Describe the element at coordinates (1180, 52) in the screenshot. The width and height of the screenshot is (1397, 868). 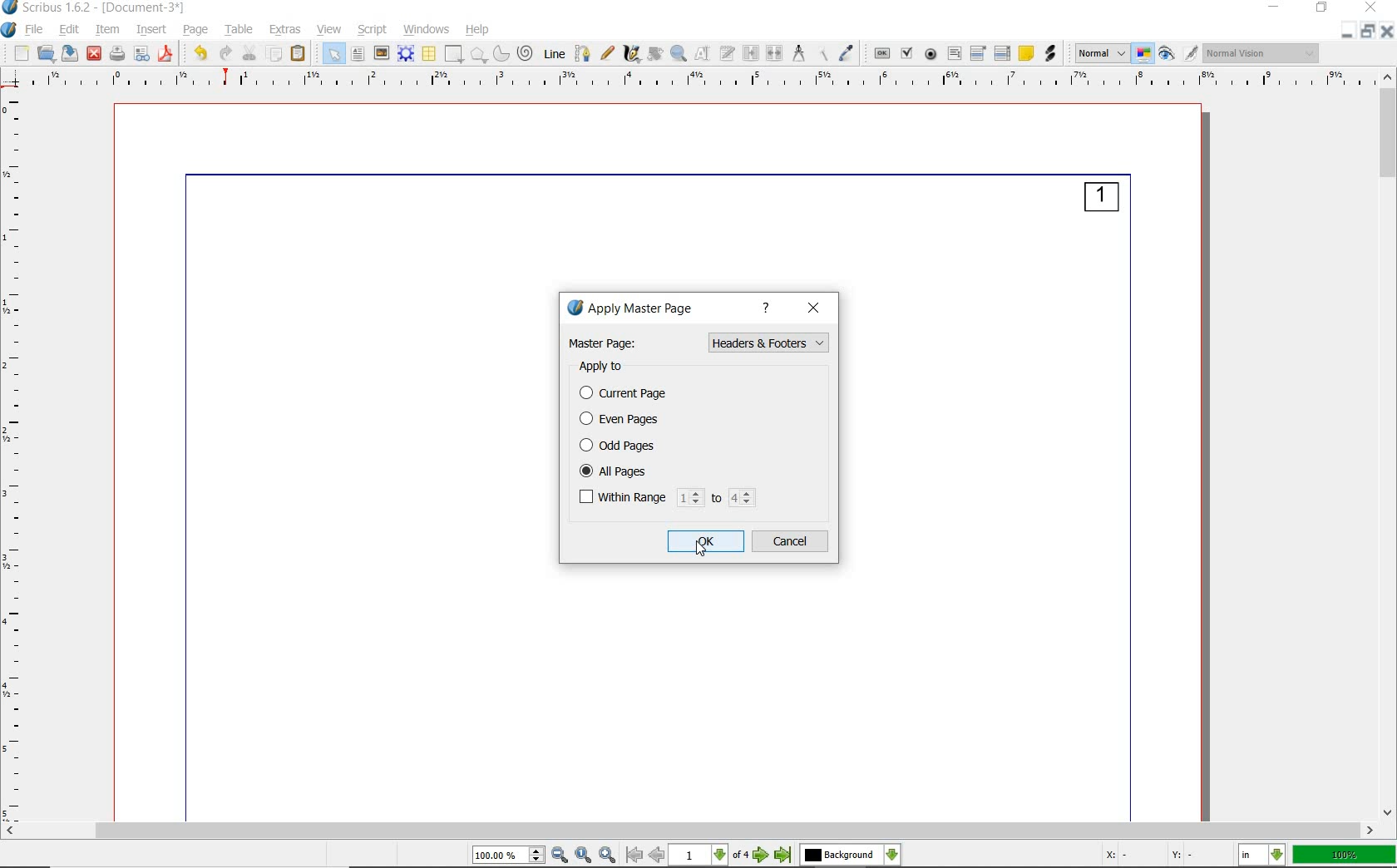
I see `preview mode` at that location.